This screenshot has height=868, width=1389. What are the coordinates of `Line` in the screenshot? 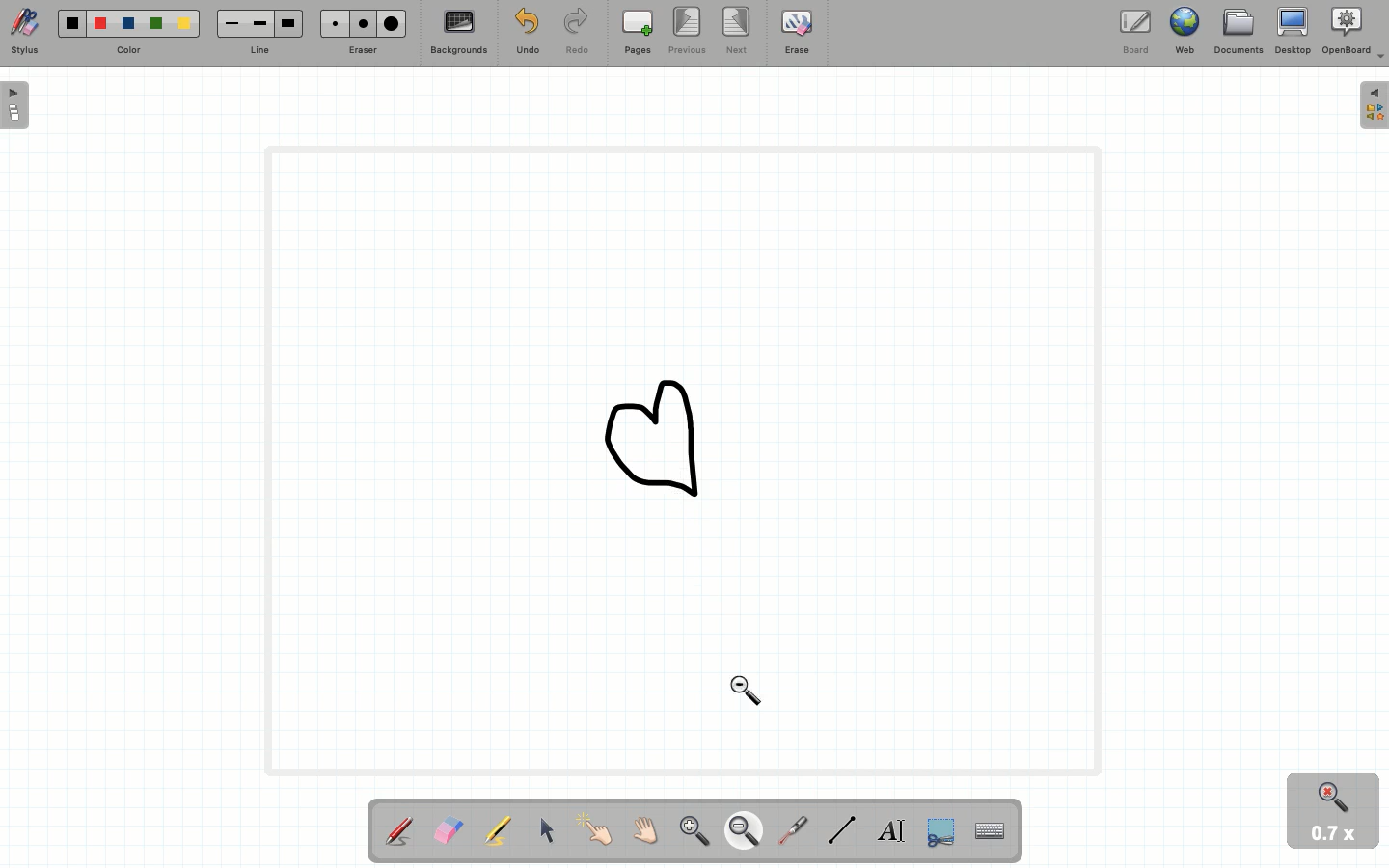 It's located at (259, 32).